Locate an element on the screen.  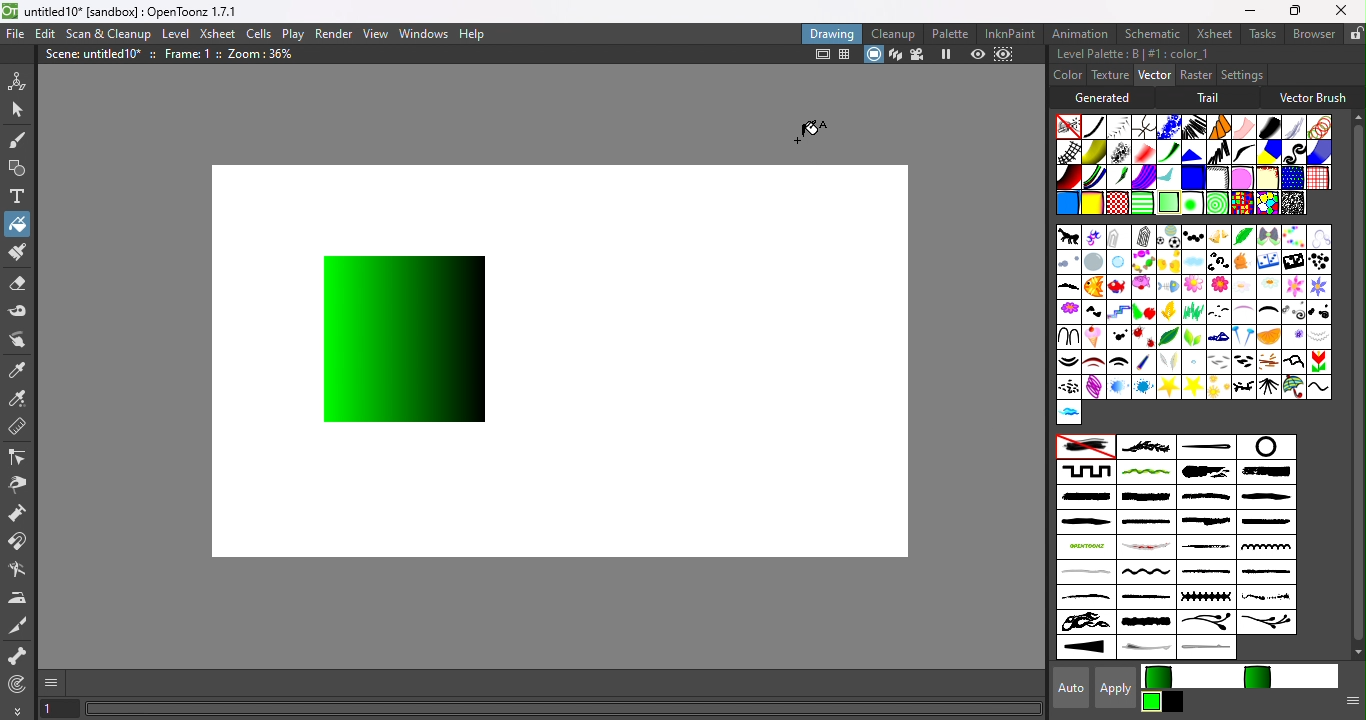
Render is located at coordinates (335, 33).